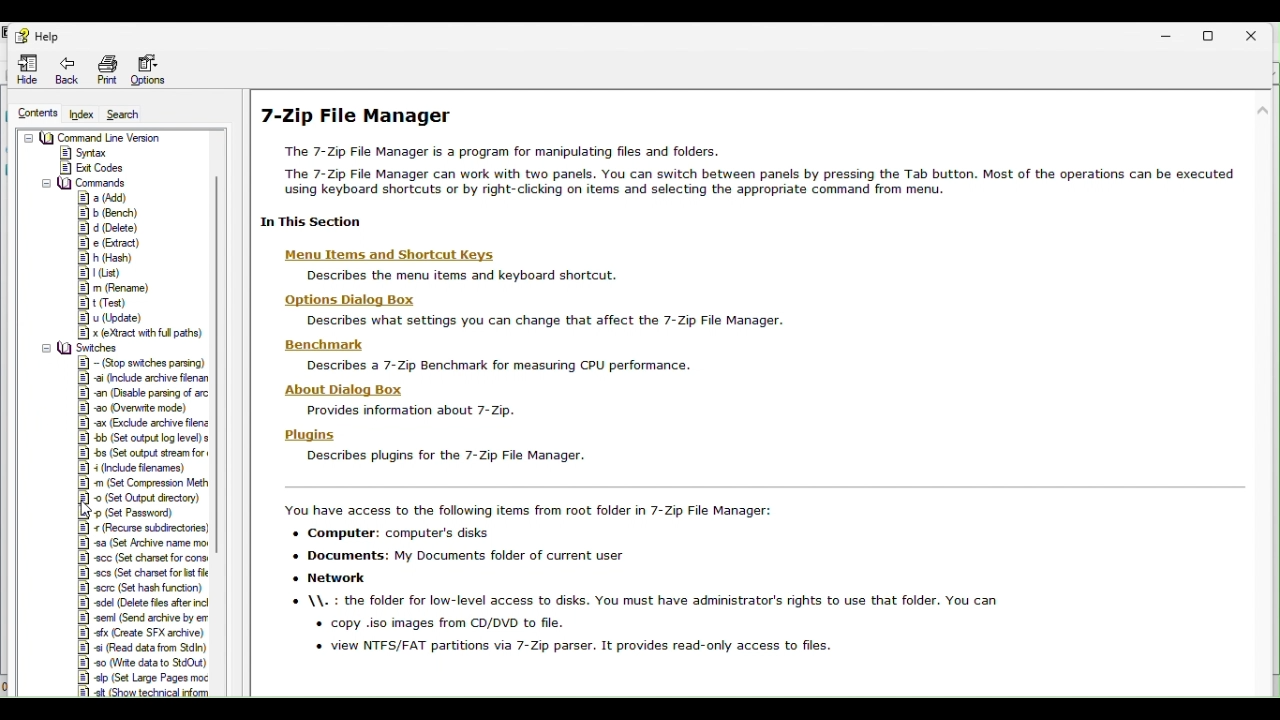 The width and height of the screenshot is (1280, 720). What do you see at coordinates (548, 322) in the screenshot?
I see `description text about settings you can change` at bounding box center [548, 322].